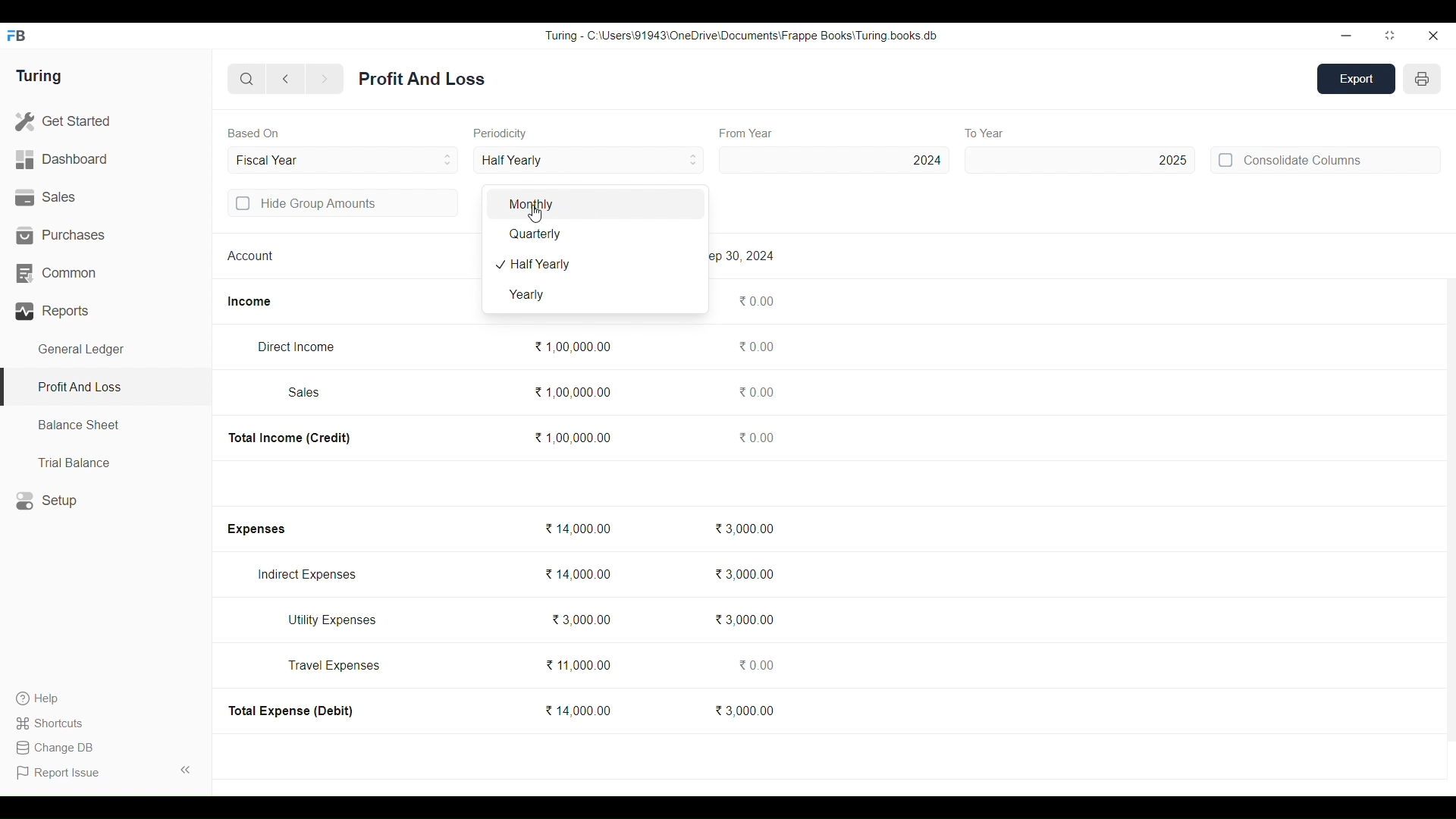  I want to click on Trial Balance, so click(106, 462).